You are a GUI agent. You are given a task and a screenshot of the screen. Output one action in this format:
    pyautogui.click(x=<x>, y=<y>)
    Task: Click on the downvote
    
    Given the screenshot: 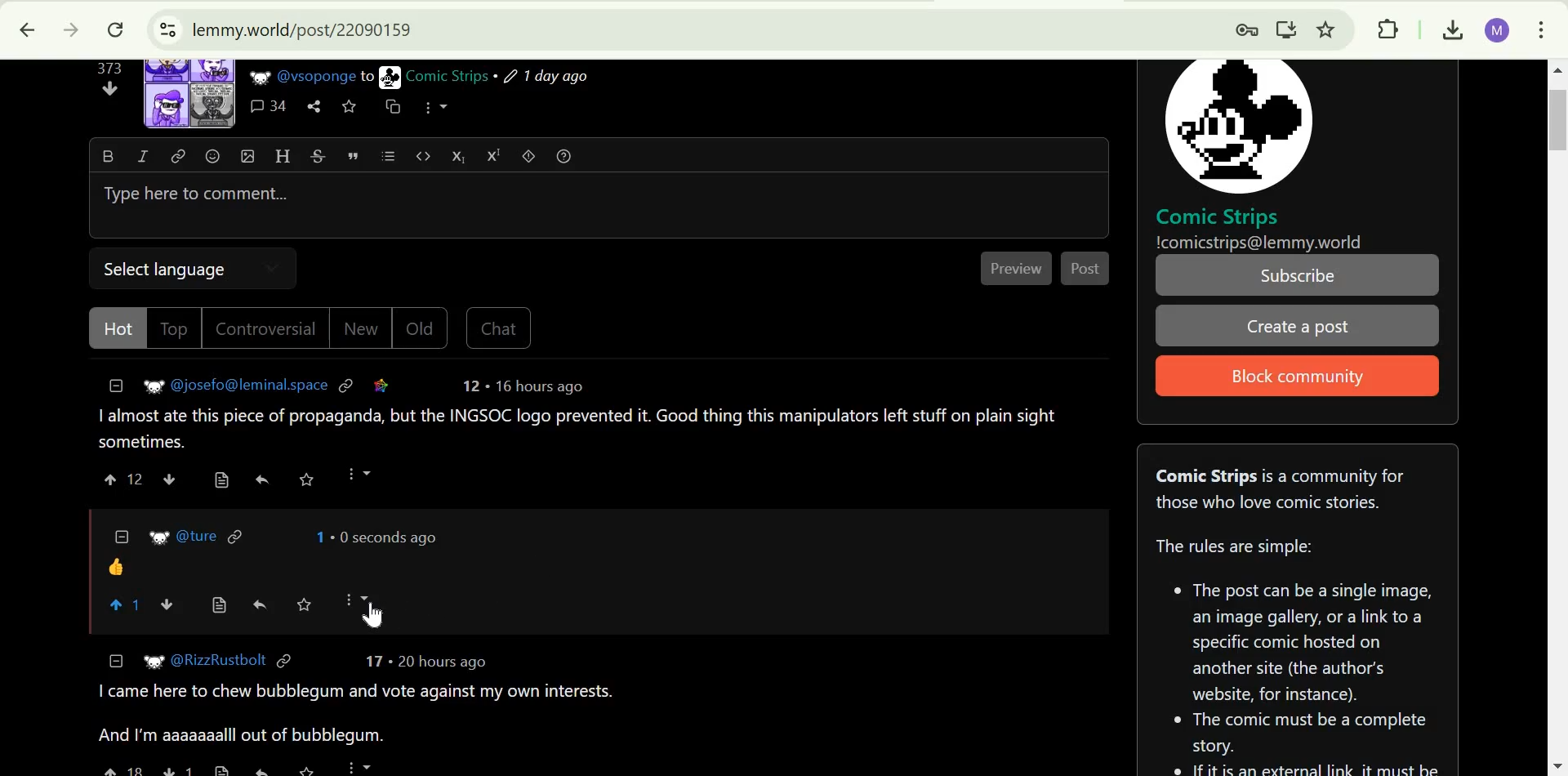 What is the action you would take?
    pyautogui.click(x=169, y=604)
    